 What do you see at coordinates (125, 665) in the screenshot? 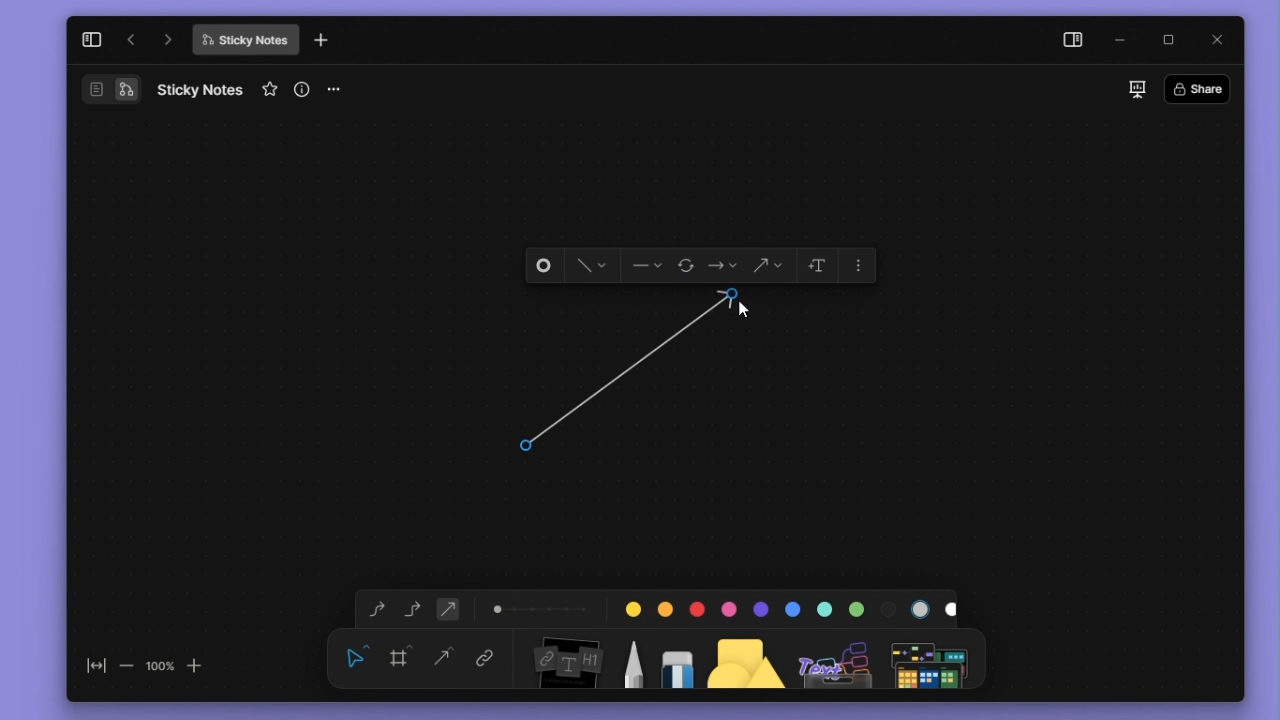
I see `zoom out` at bounding box center [125, 665].